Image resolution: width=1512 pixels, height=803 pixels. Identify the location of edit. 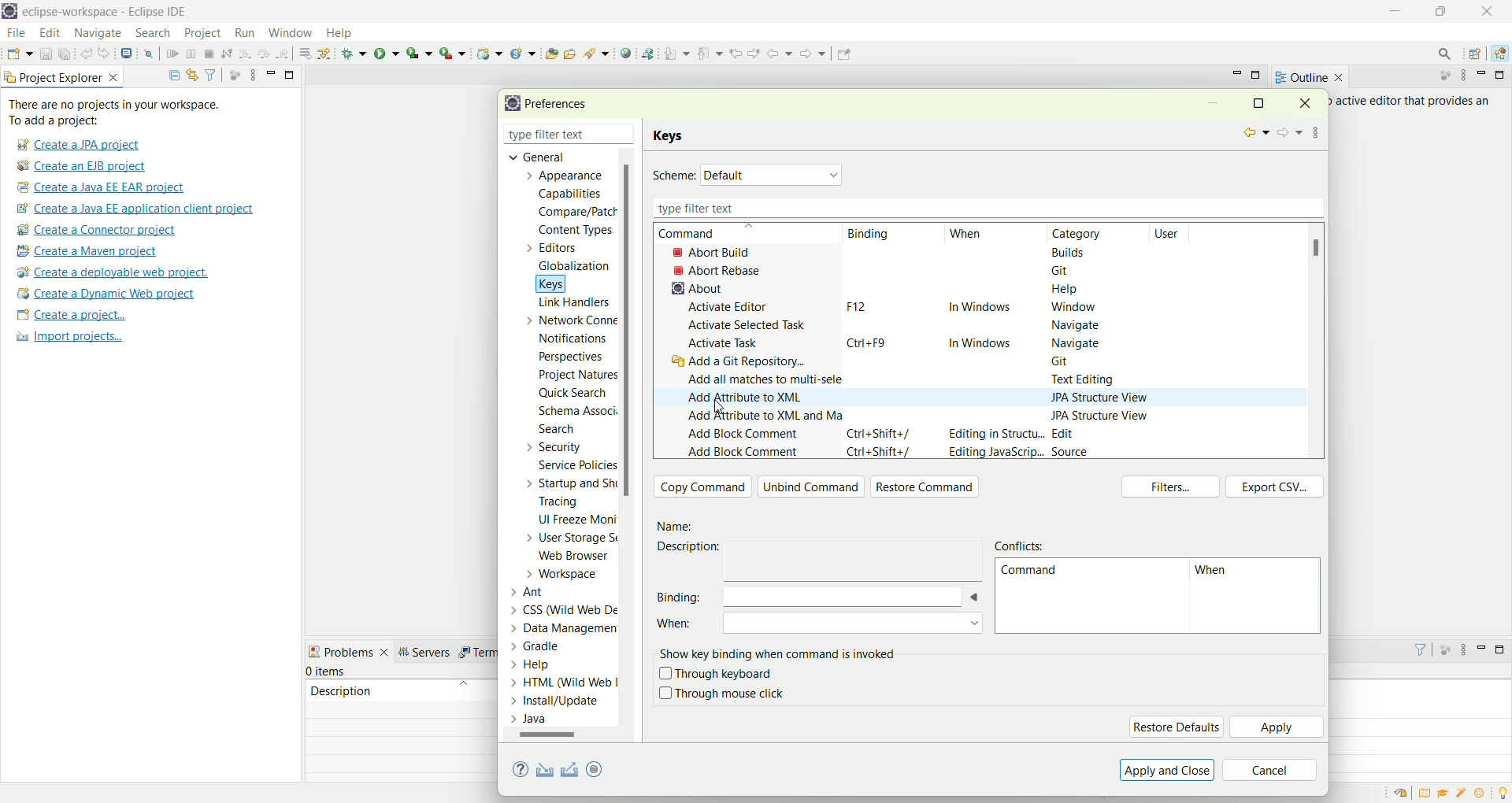
(48, 34).